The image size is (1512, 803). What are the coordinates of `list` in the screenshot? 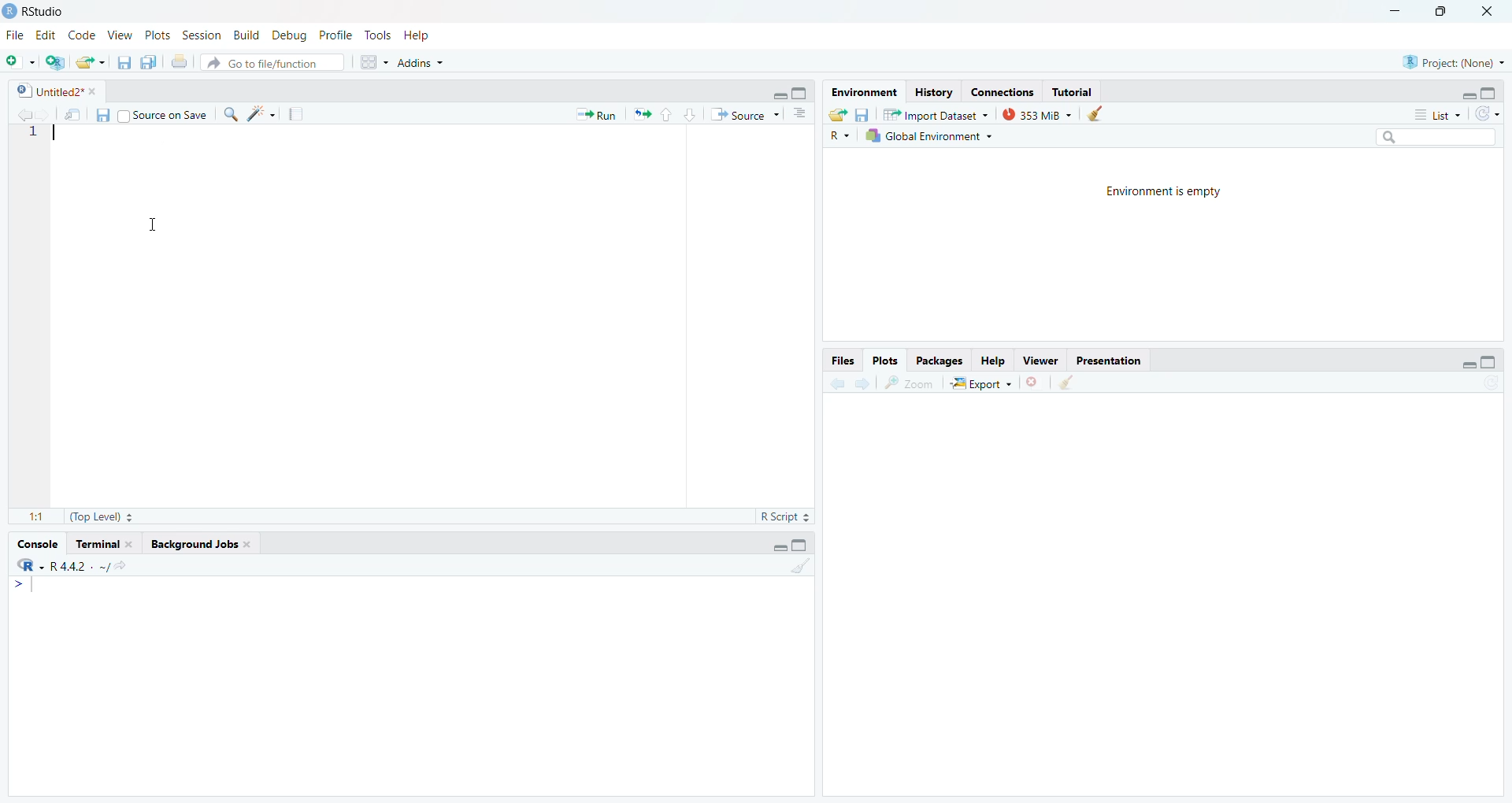 It's located at (1435, 113).